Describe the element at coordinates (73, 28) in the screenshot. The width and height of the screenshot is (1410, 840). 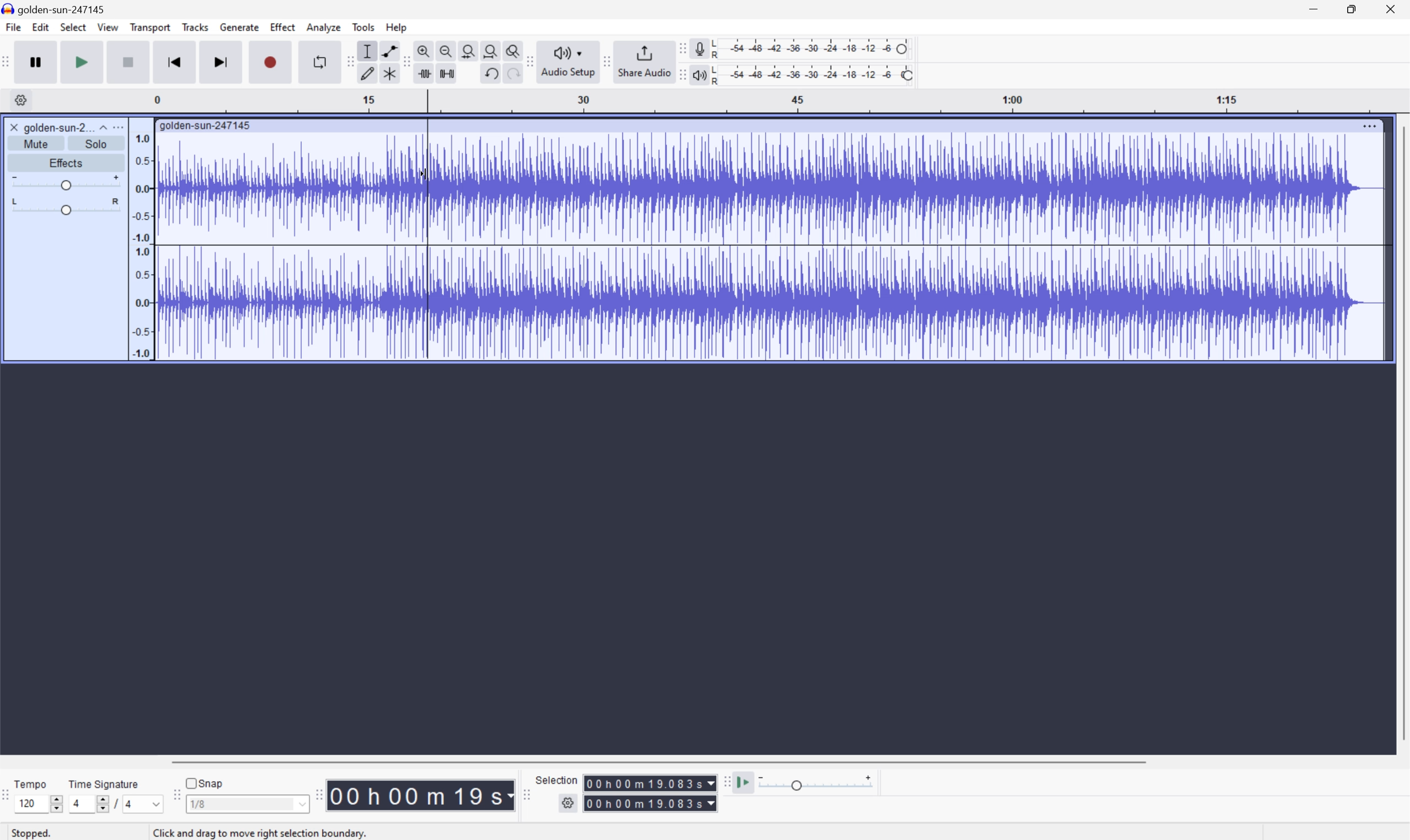
I see `Select` at that location.